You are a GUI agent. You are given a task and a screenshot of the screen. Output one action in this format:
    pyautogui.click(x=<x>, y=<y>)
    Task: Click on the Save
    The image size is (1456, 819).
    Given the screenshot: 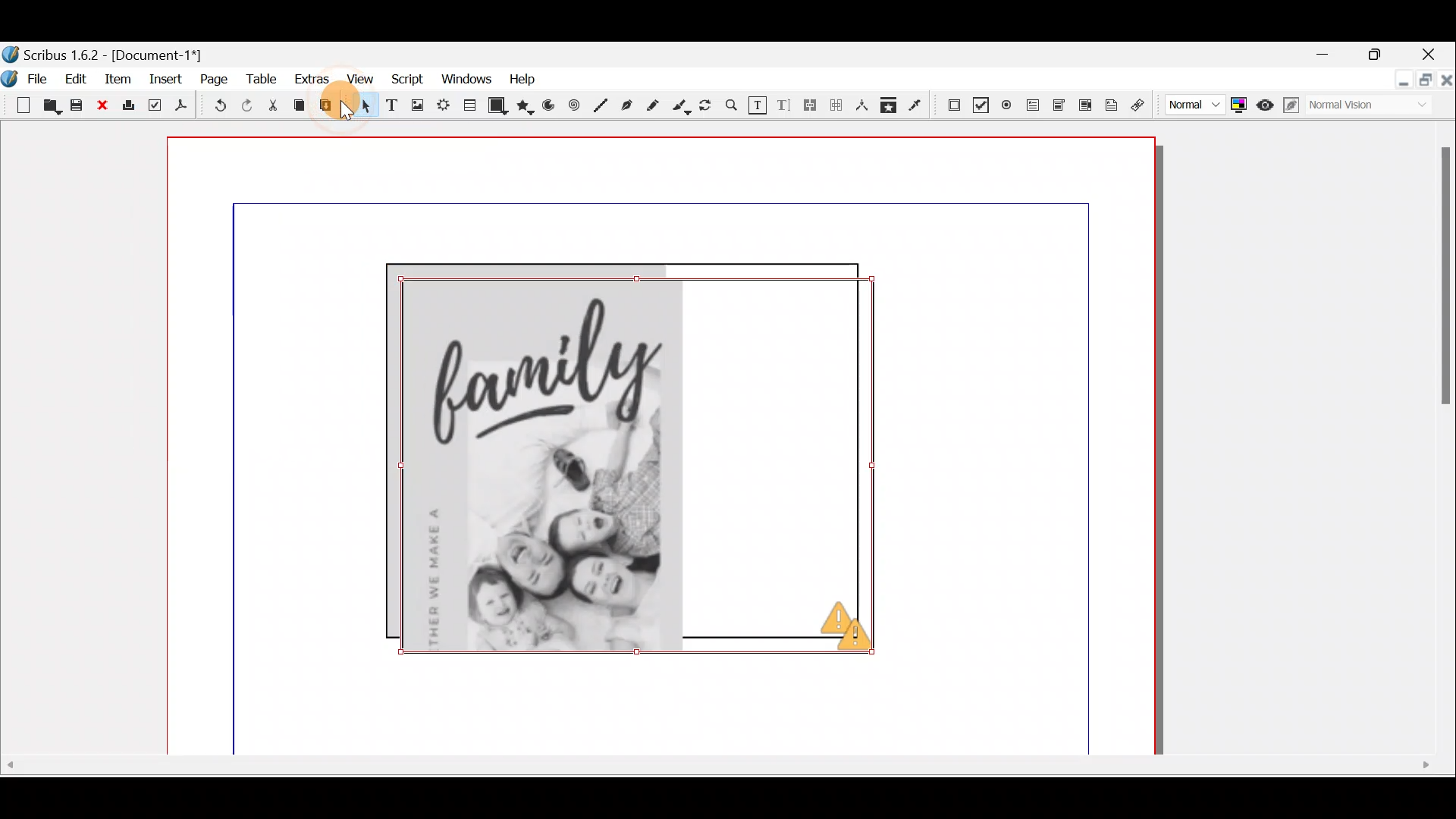 What is the action you would take?
    pyautogui.click(x=77, y=106)
    